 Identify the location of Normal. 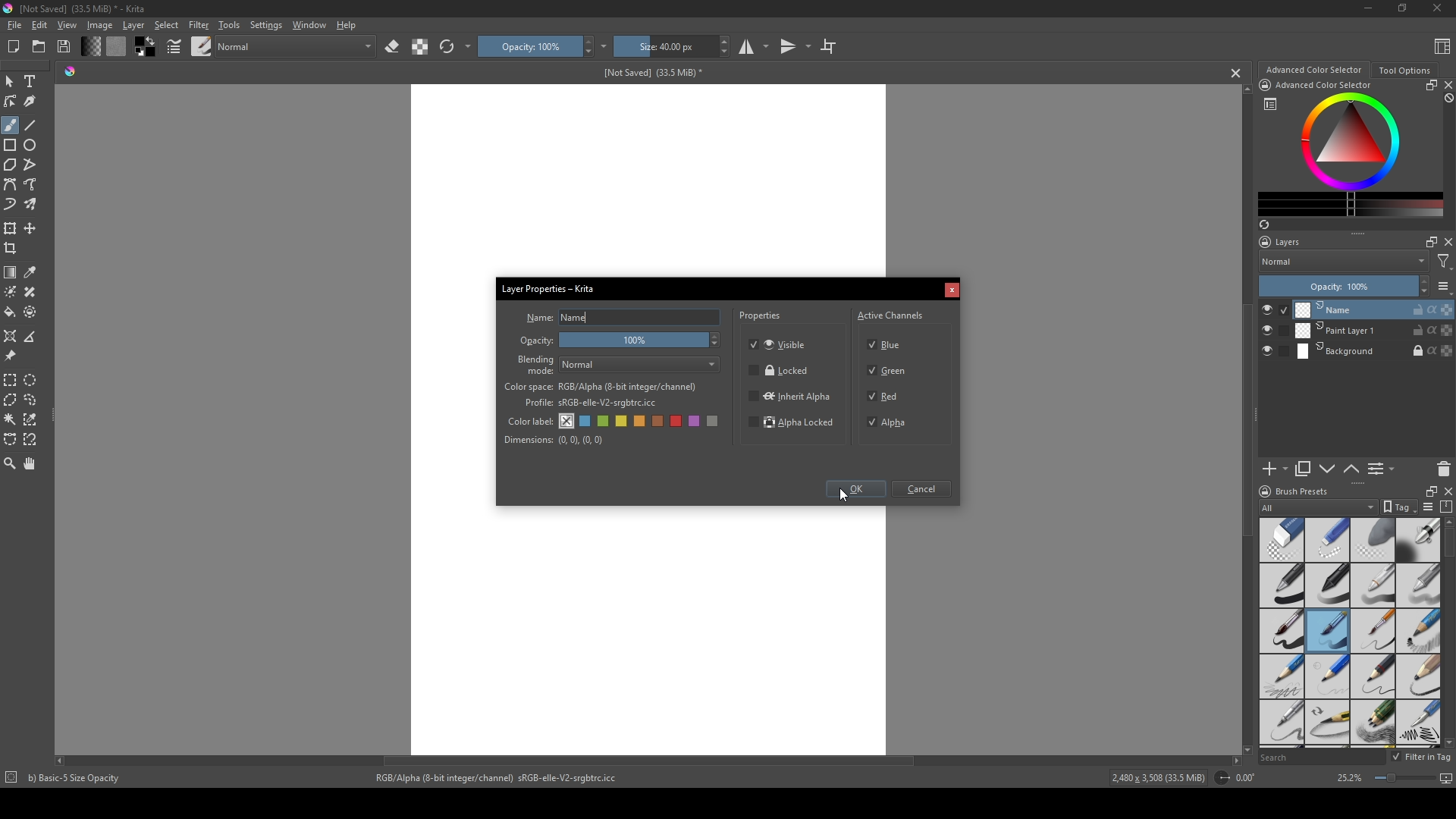
(1344, 261).